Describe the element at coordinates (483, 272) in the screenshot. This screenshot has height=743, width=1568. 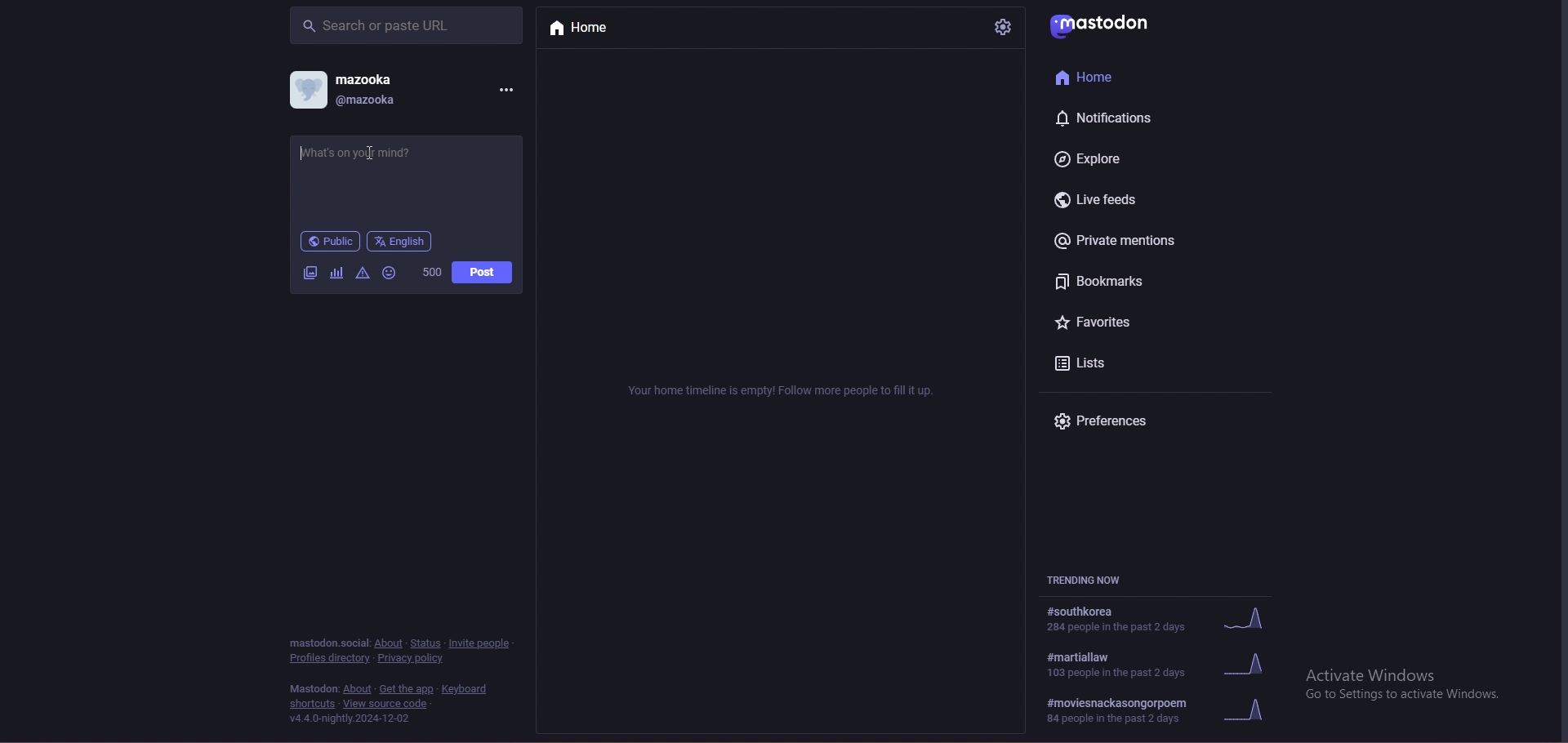
I see `post` at that location.